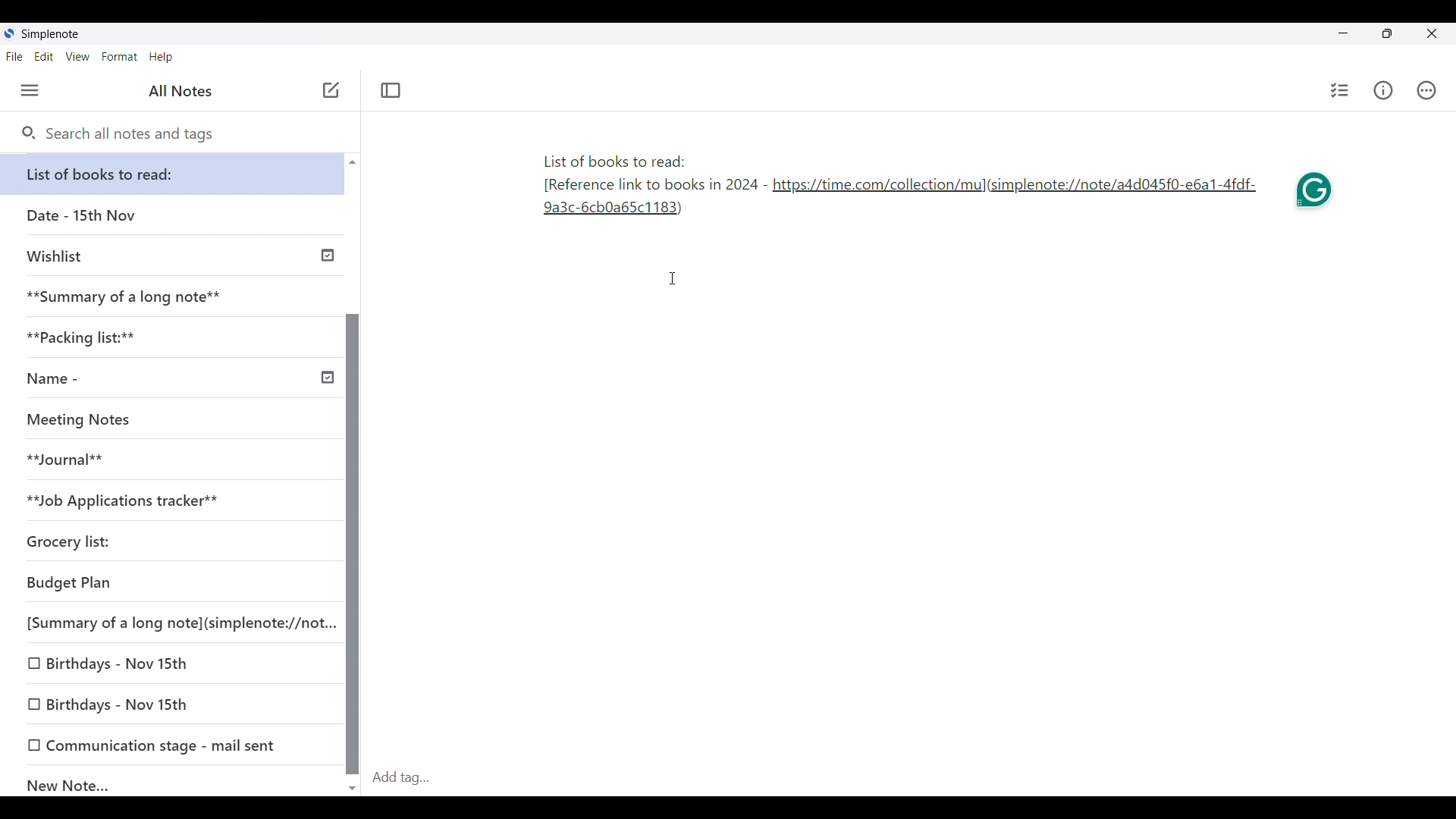 This screenshot has height=819, width=1456. Describe the element at coordinates (329, 89) in the screenshot. I see `add note` at that location.